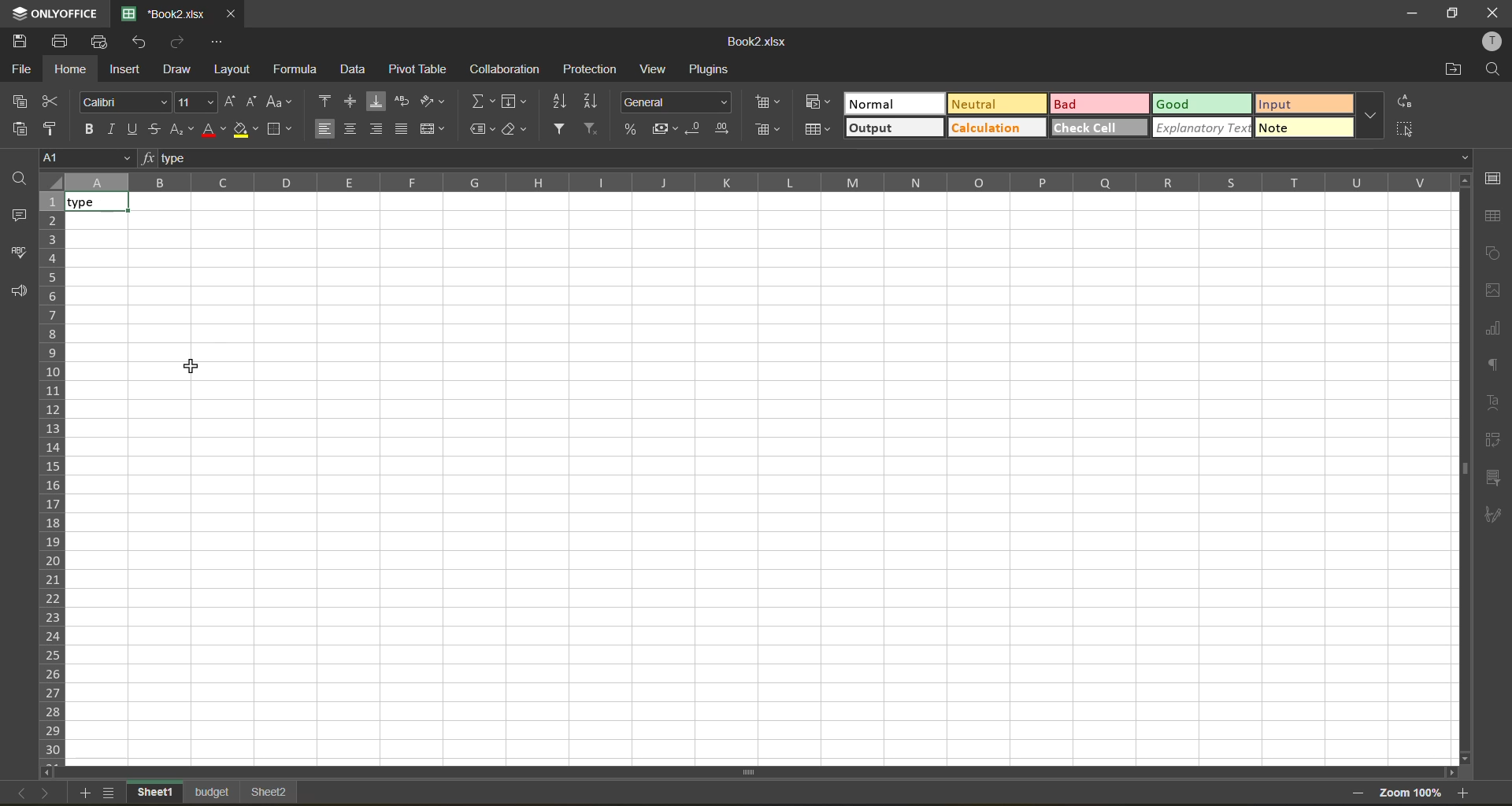  What do you see at coordinates (595, 102) in the screenshot?
I see `sort descending` at bounding box center [595, 102].